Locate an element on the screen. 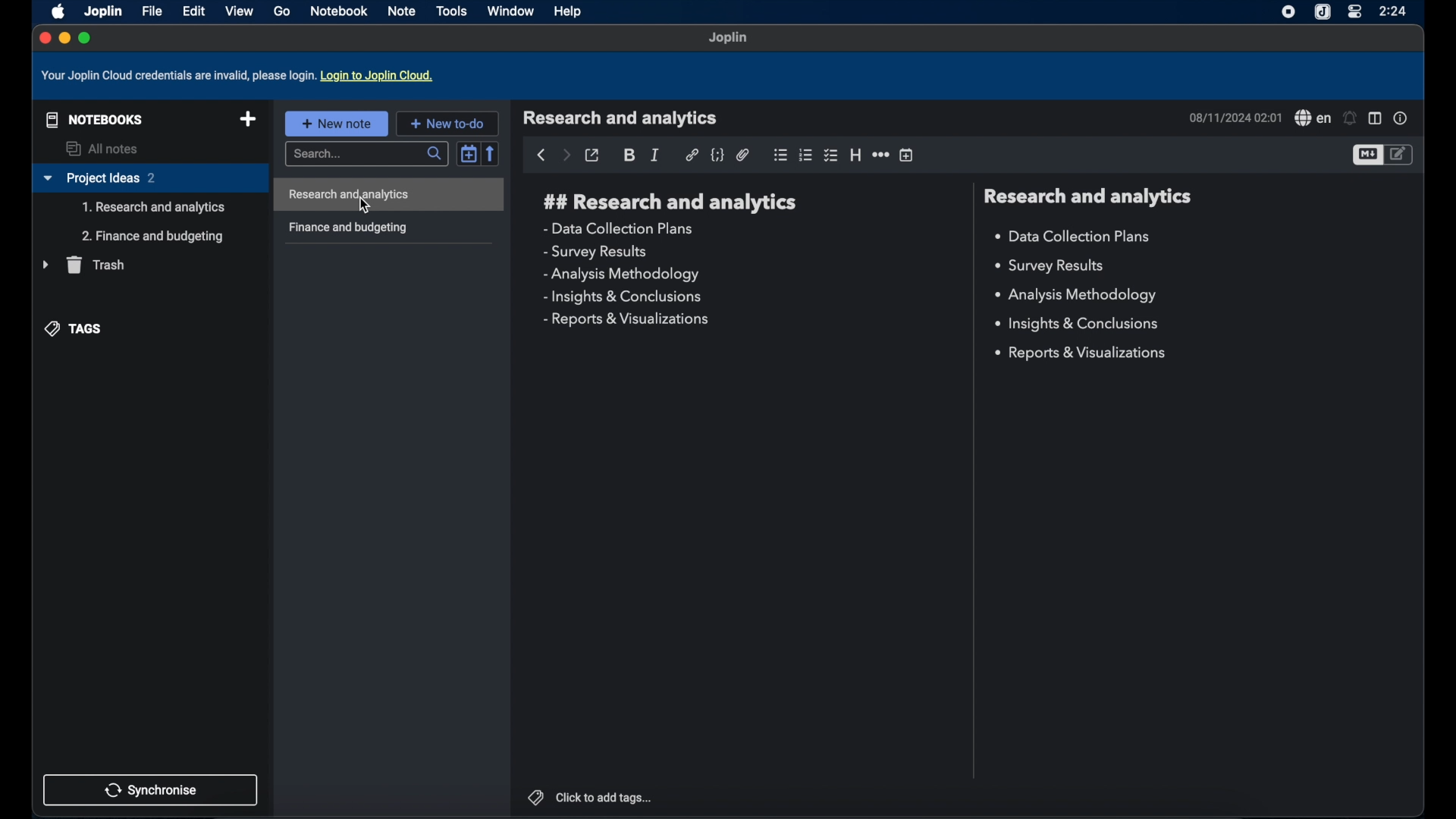  toggle external editing is located at coordinates (593, 155).